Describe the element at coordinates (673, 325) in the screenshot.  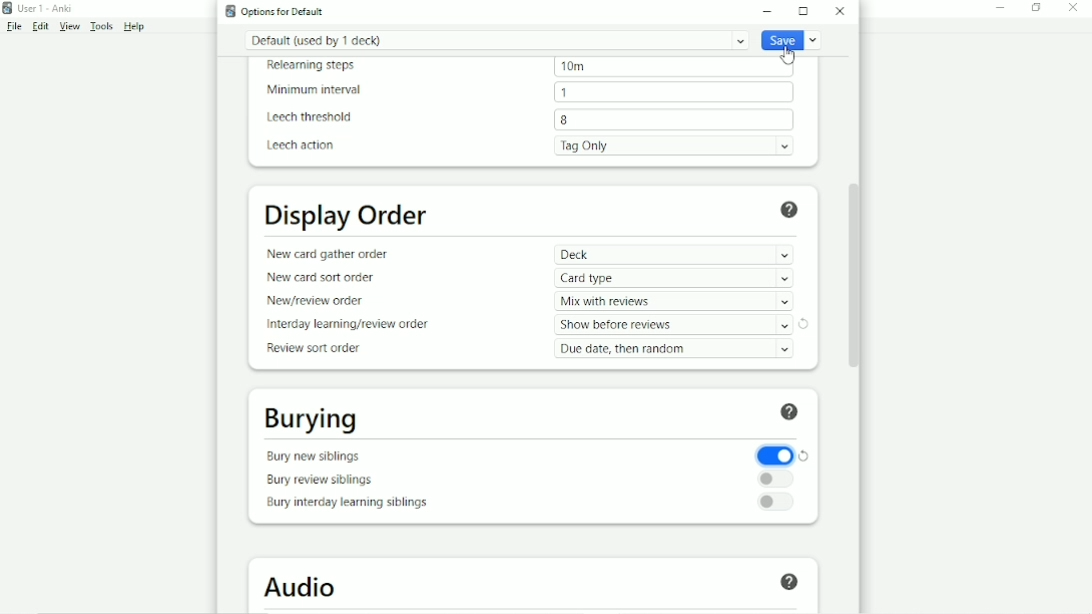
I see `Show before reviews` at that location.